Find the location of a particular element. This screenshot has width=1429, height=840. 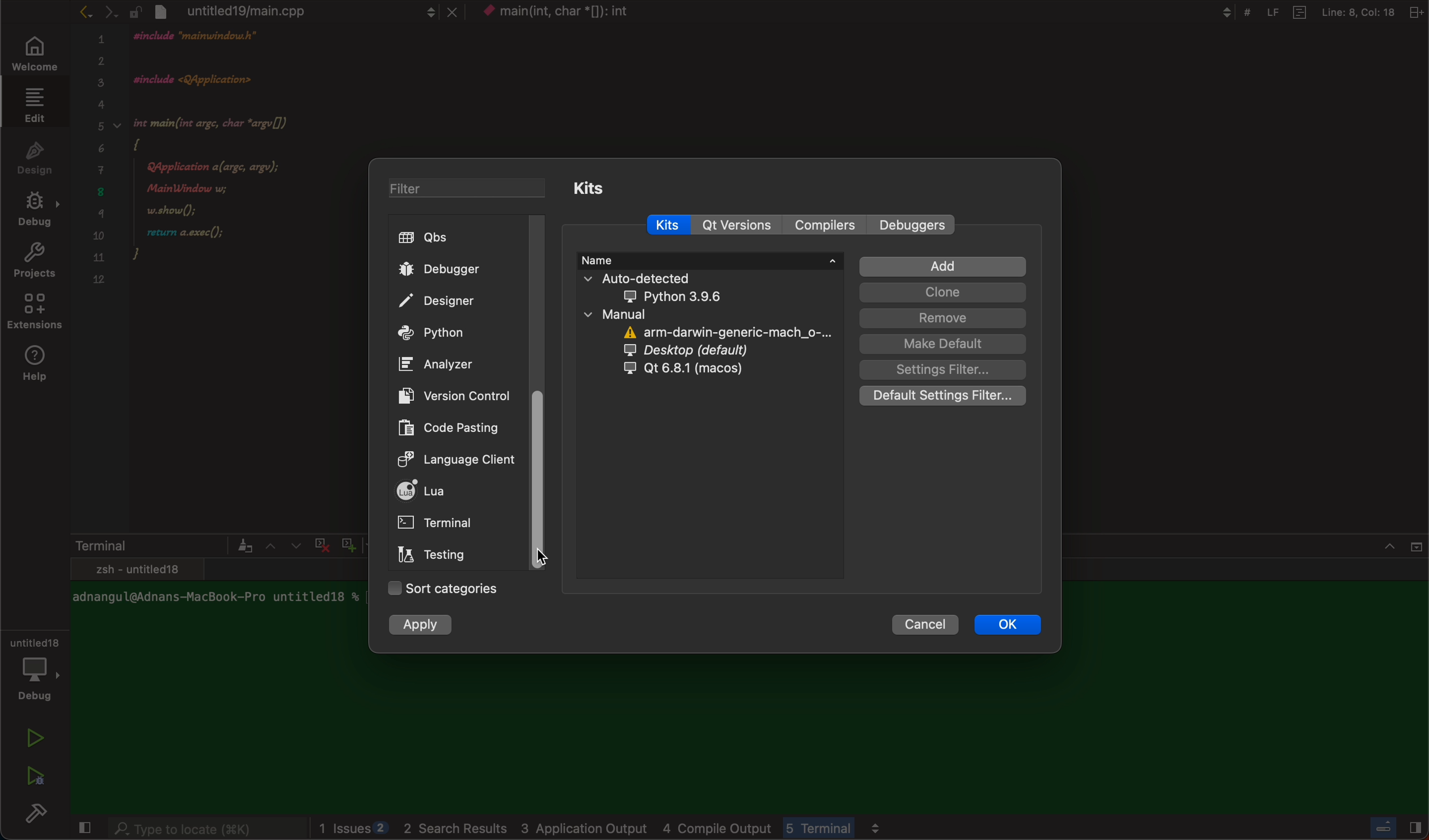

debuggers is located at coordinates (914, 226).